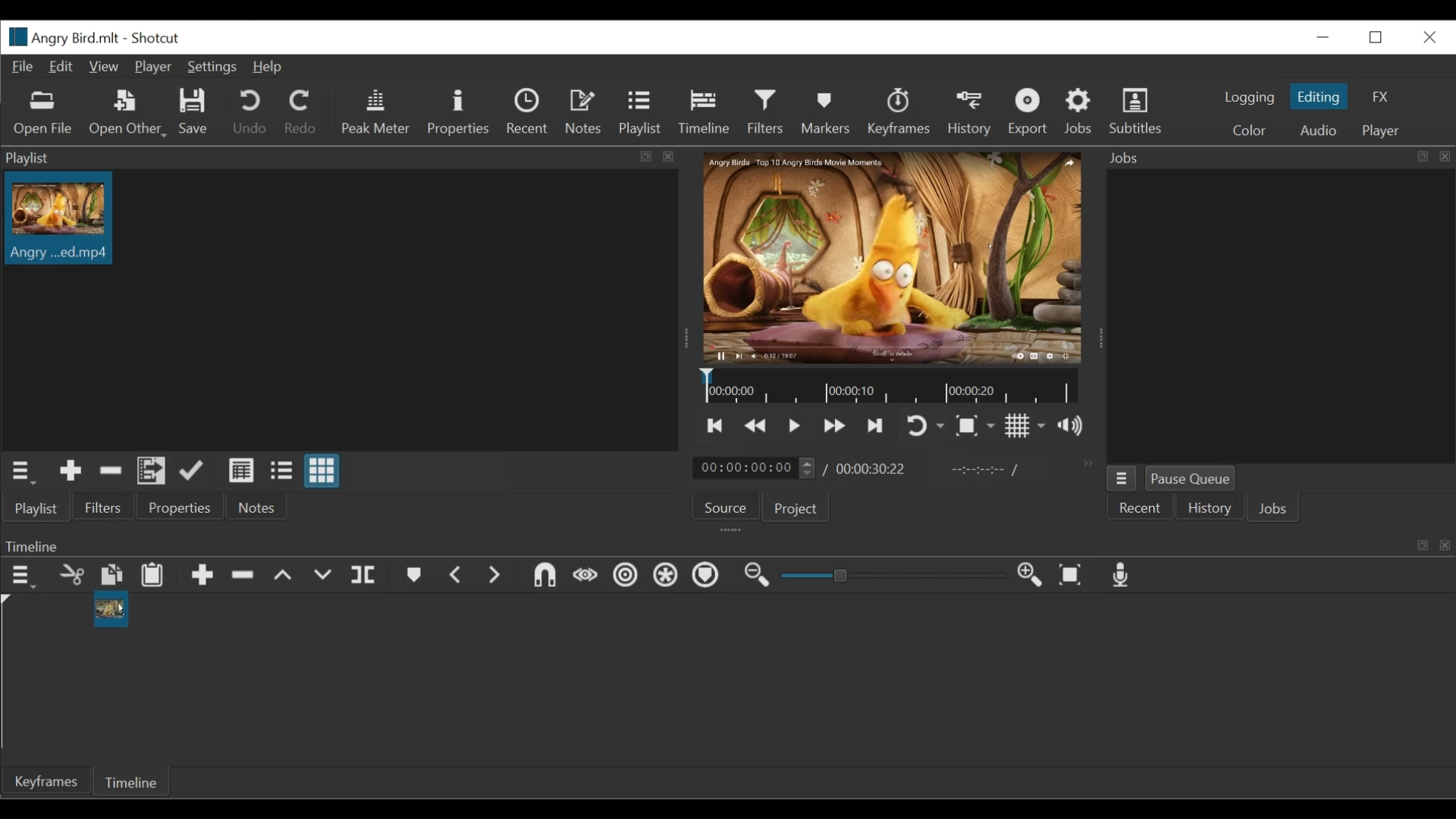 The image size is (1456, 819). What do you see at coordinates (36, 509) in the screenshot?
I see `Playlist` at bounding box center [36, 509].